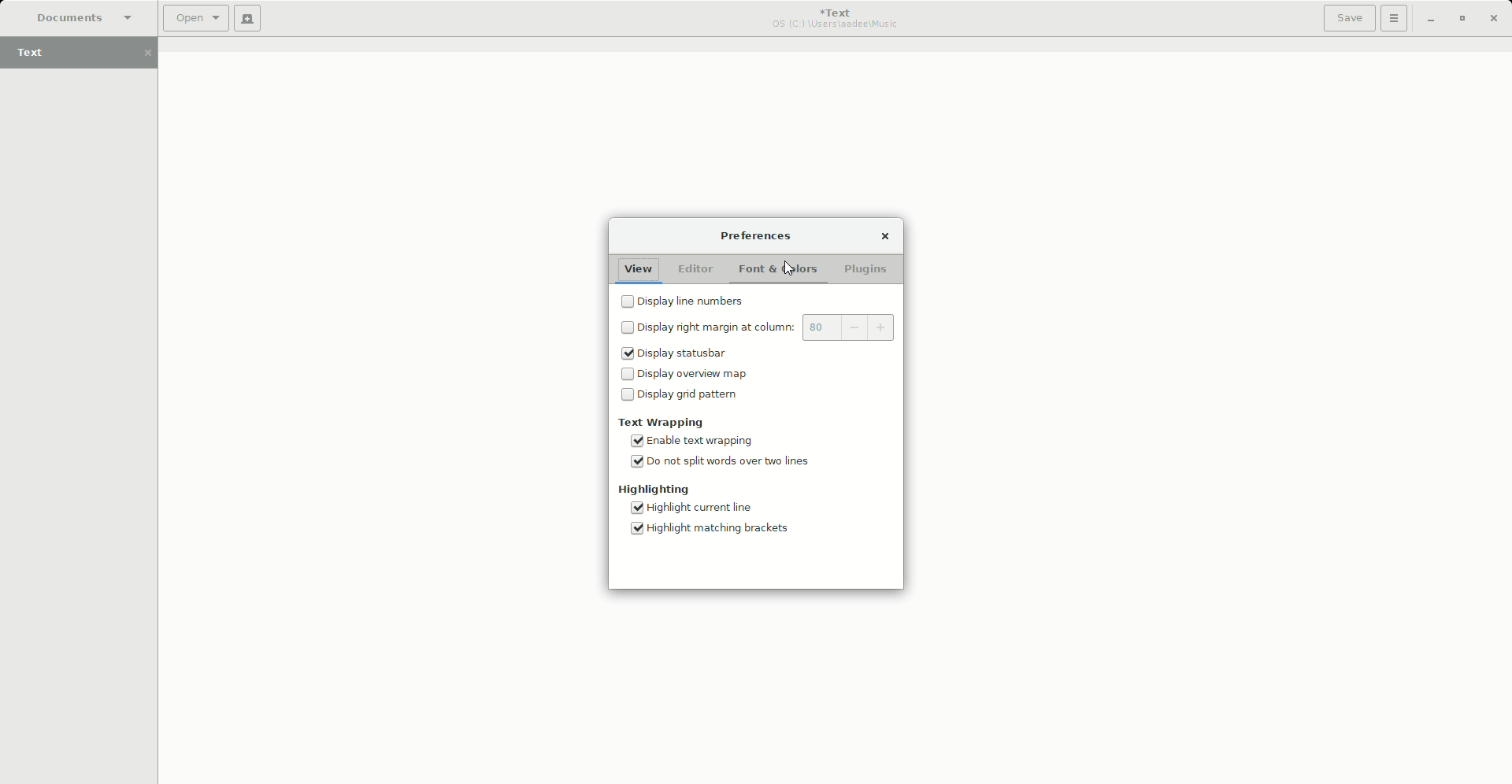 The height and width of the screenshot is (784, 1512). I want to click on Plugins, so click(870, 268).